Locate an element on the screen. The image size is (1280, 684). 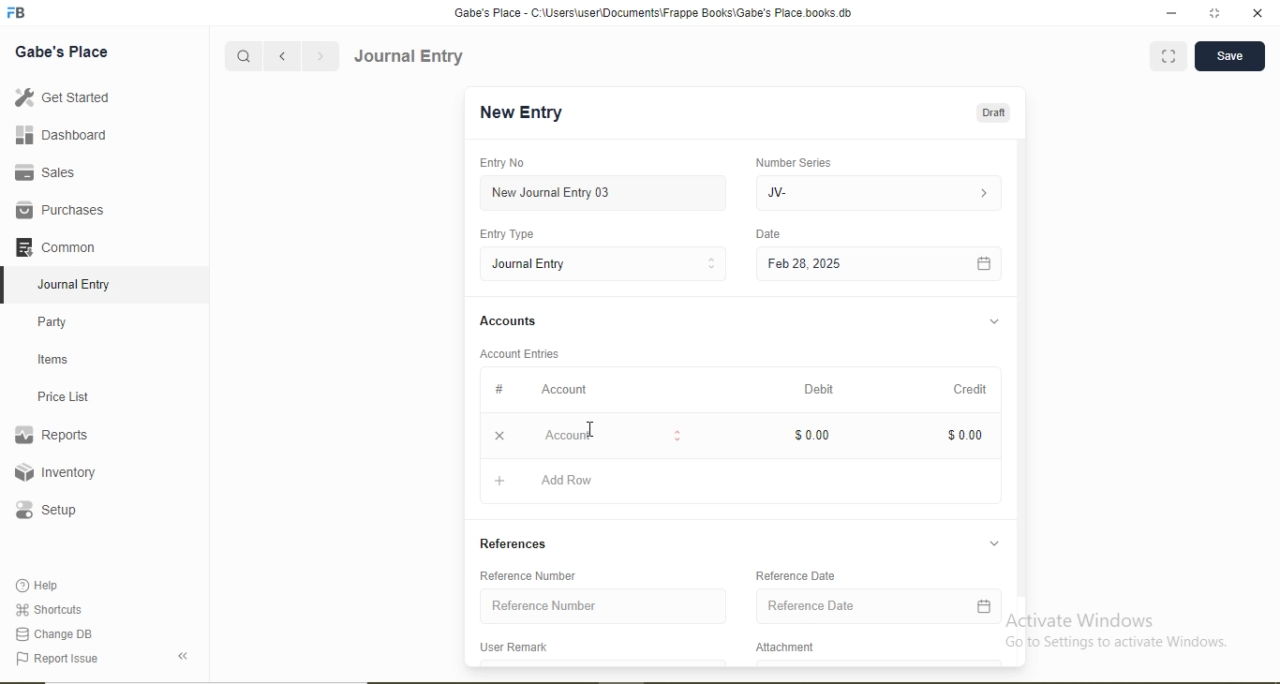
Calendar is located at coordinates (984, 265).